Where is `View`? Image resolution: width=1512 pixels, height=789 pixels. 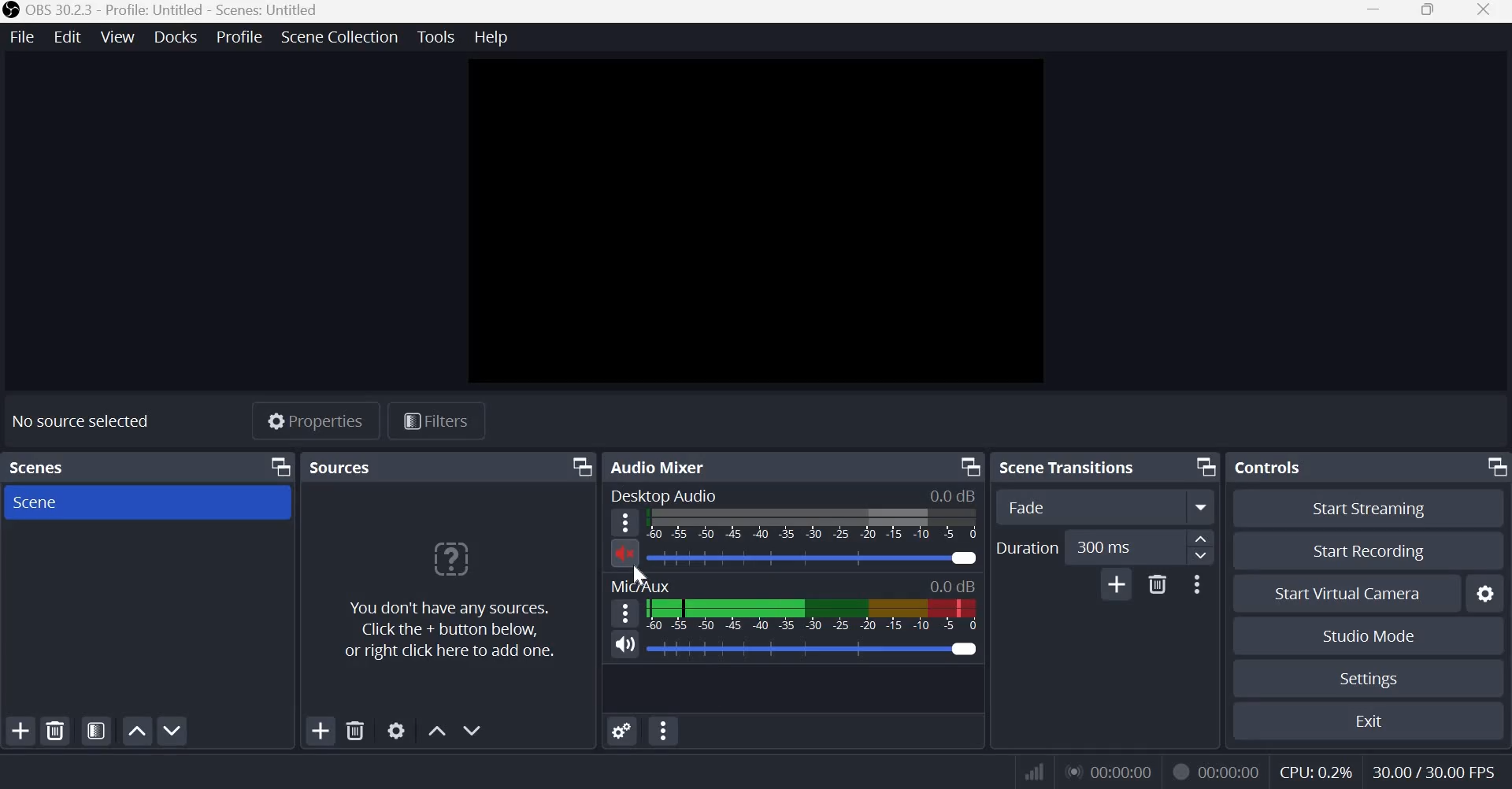 View is located at coordinates (118, 36).